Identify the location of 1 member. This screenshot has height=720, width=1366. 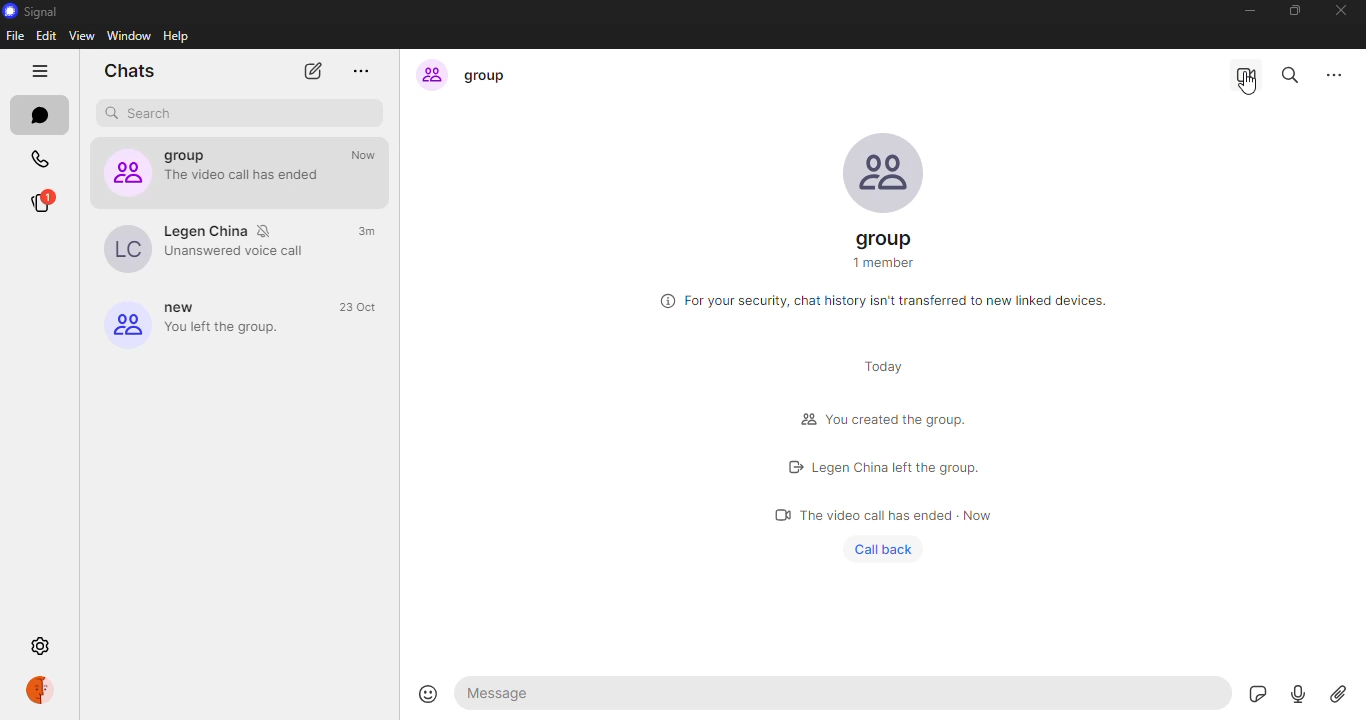
(883, 261).